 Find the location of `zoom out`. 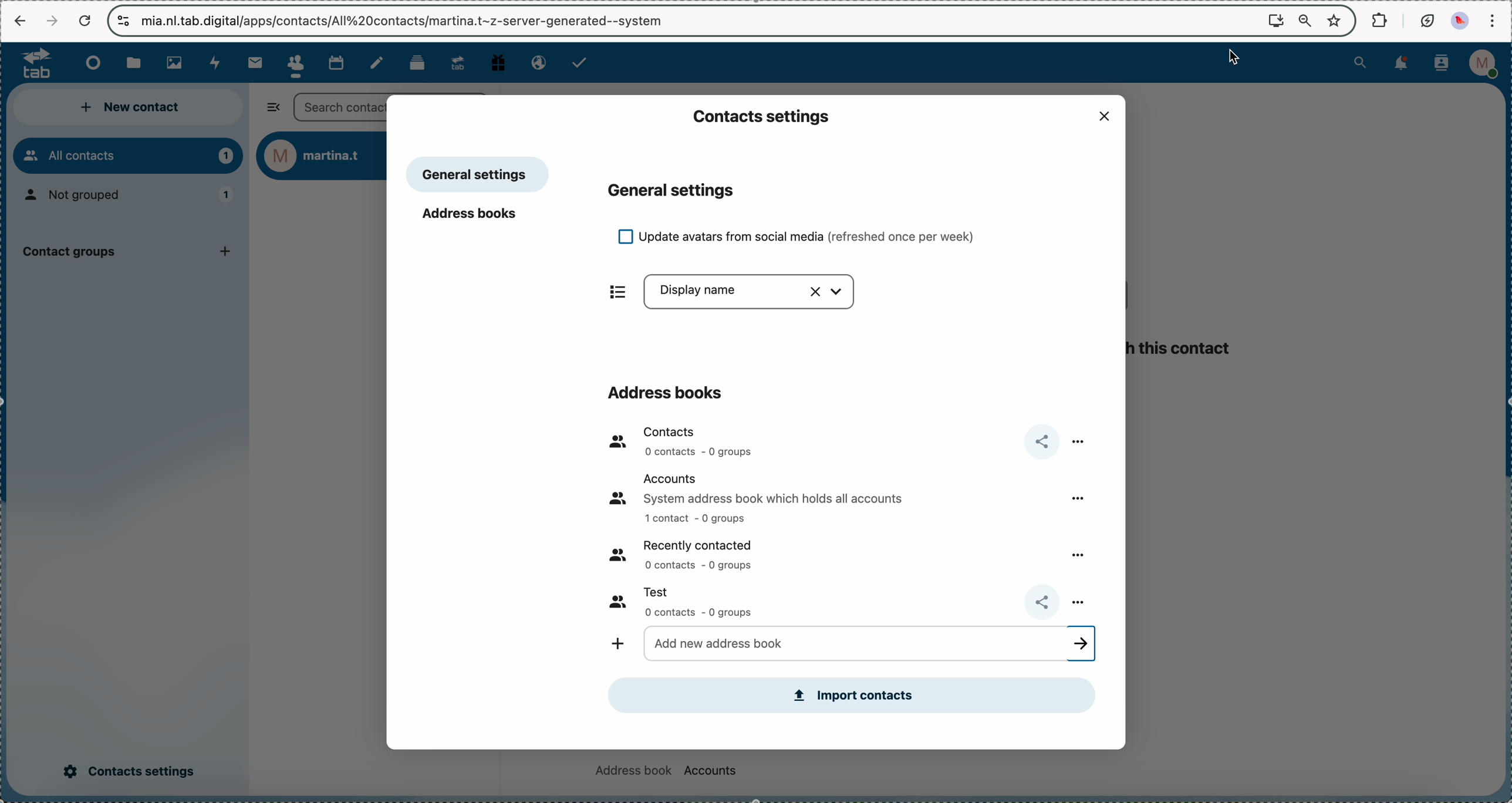

zoom out is located at coordinates (1304, 18).